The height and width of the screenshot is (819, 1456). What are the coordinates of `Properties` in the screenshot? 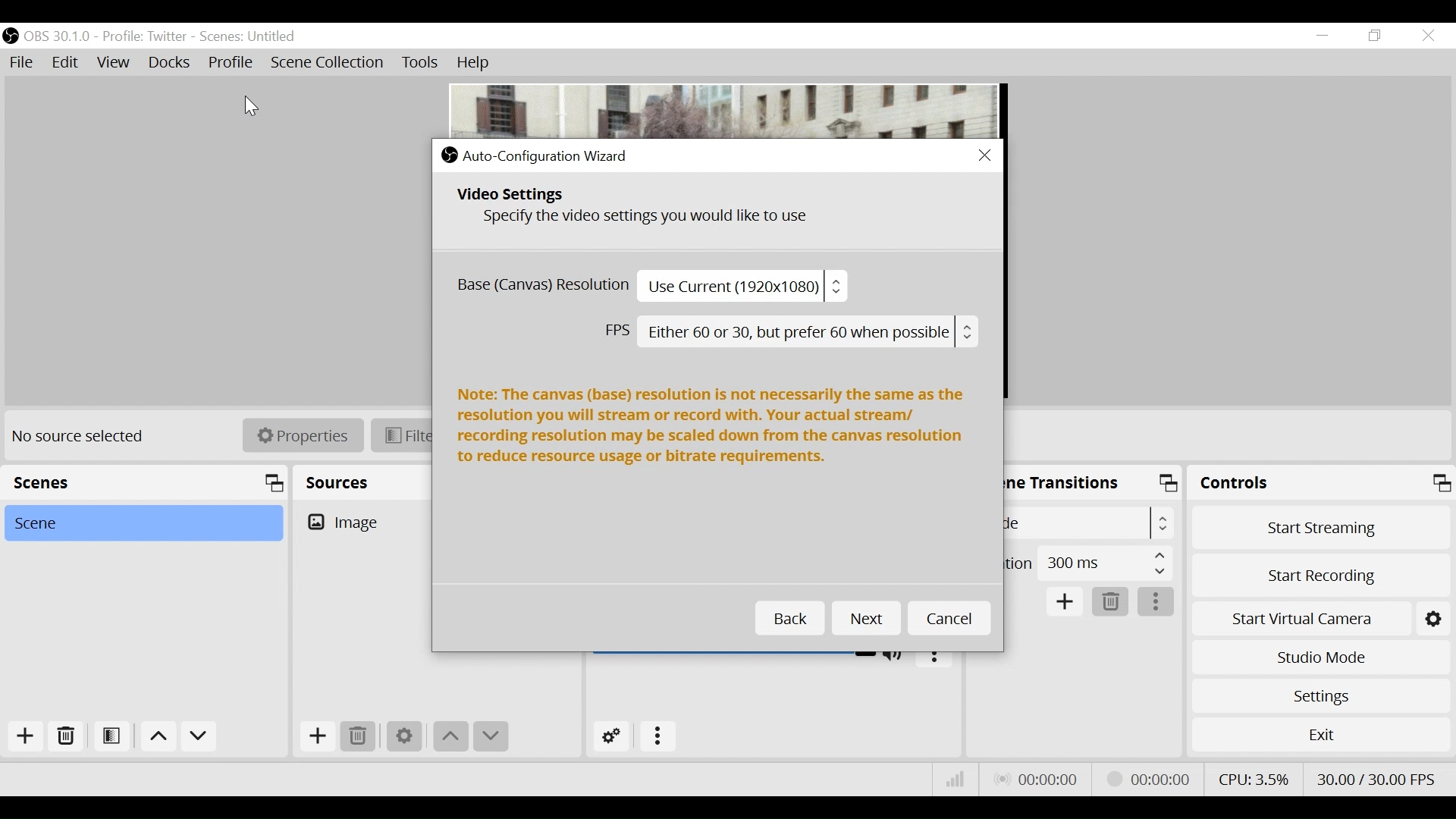 It's located at (297, 435).